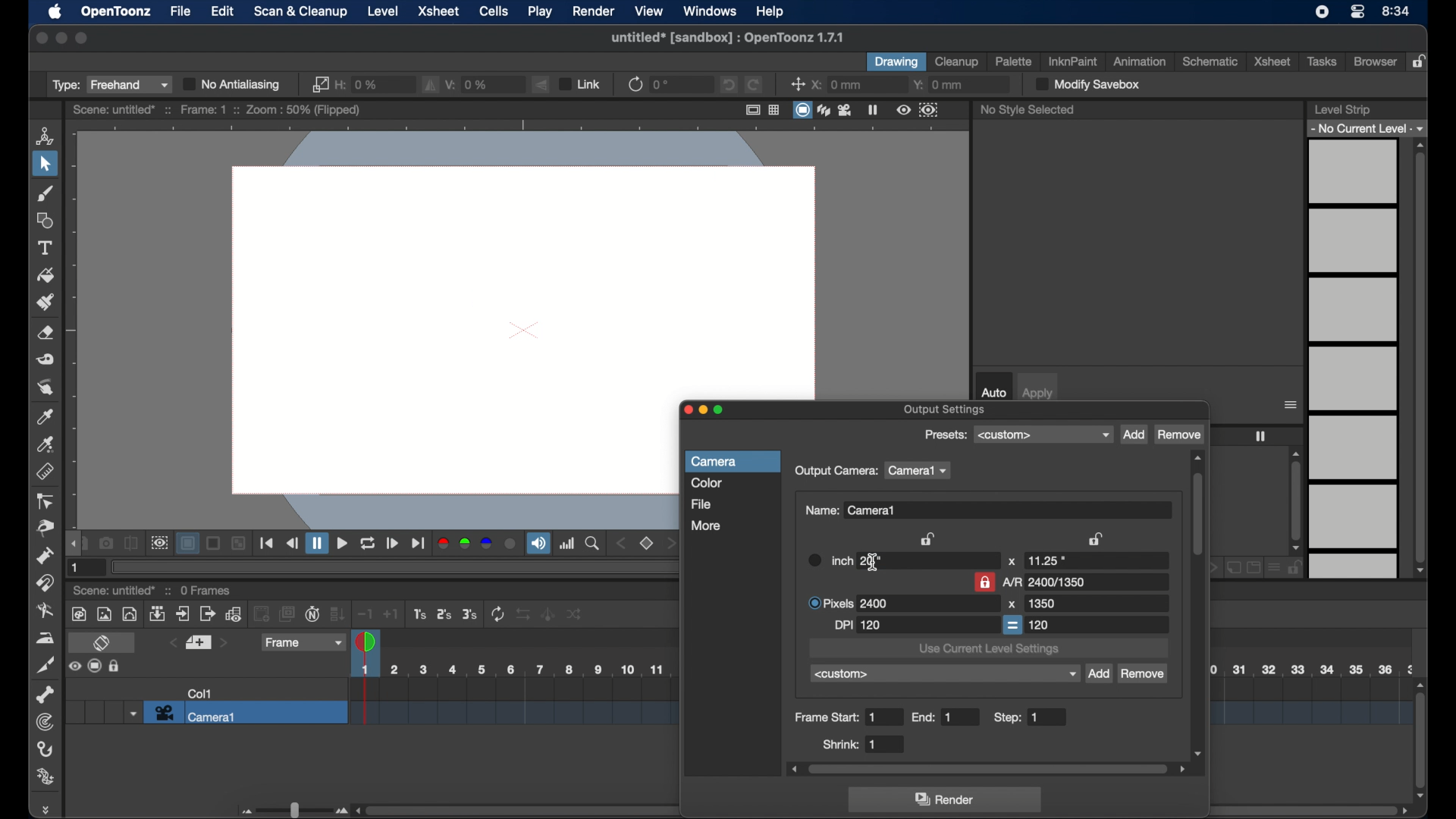 The width and height of the screenshot is (1456, 819). I want to click on , so click(318, 544).